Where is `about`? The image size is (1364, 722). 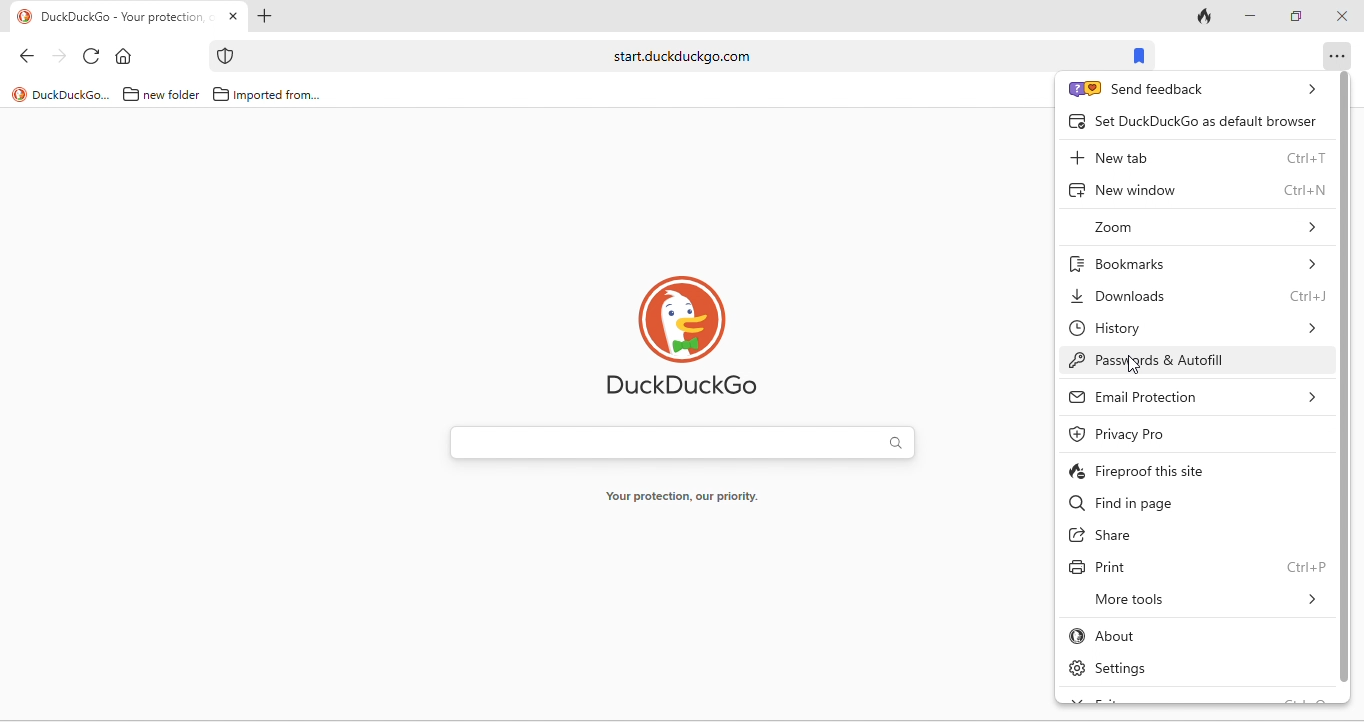
about is located at coordinates (1141, 633).